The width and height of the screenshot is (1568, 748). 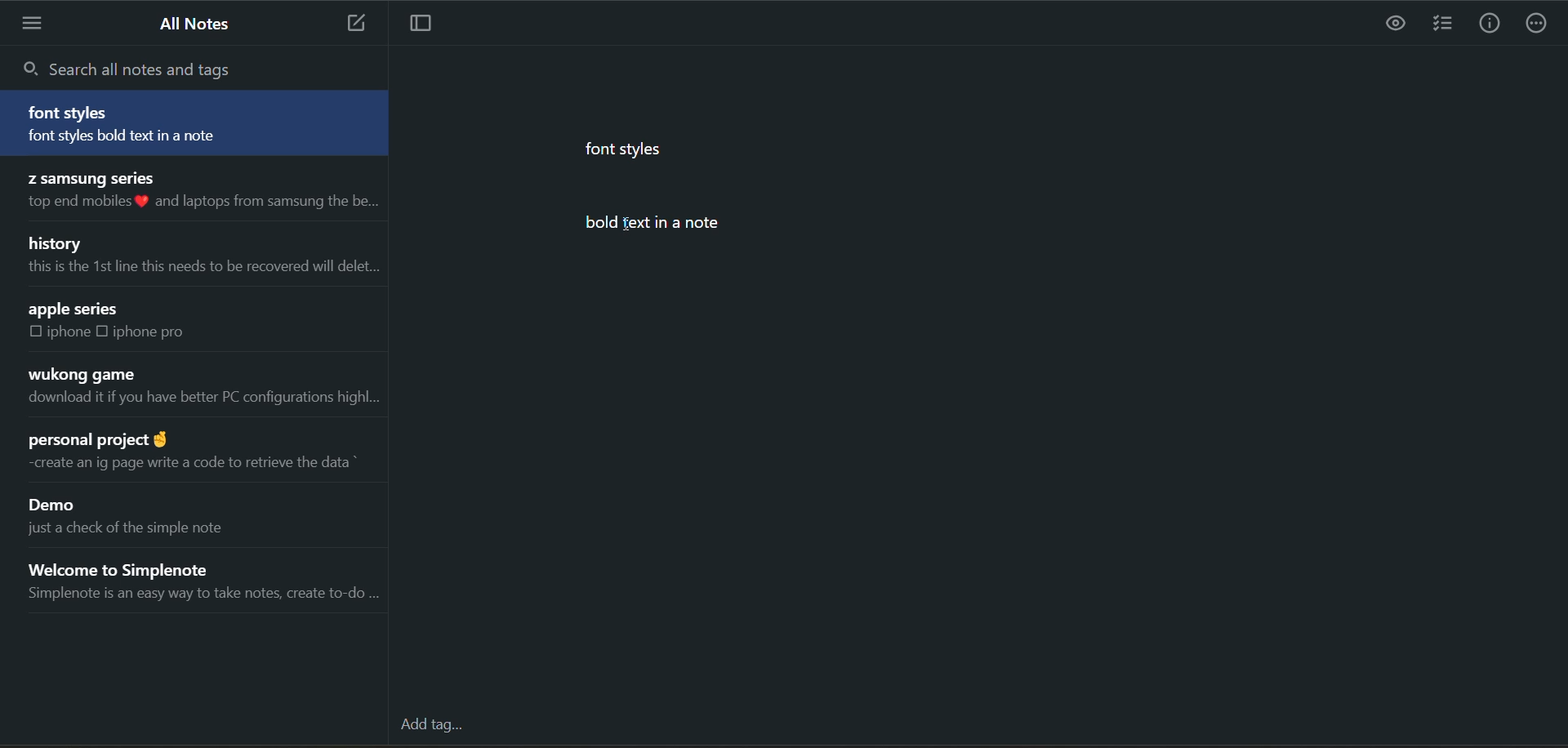 I want to click on just a check of the simple note, so click(x=141, y=532).